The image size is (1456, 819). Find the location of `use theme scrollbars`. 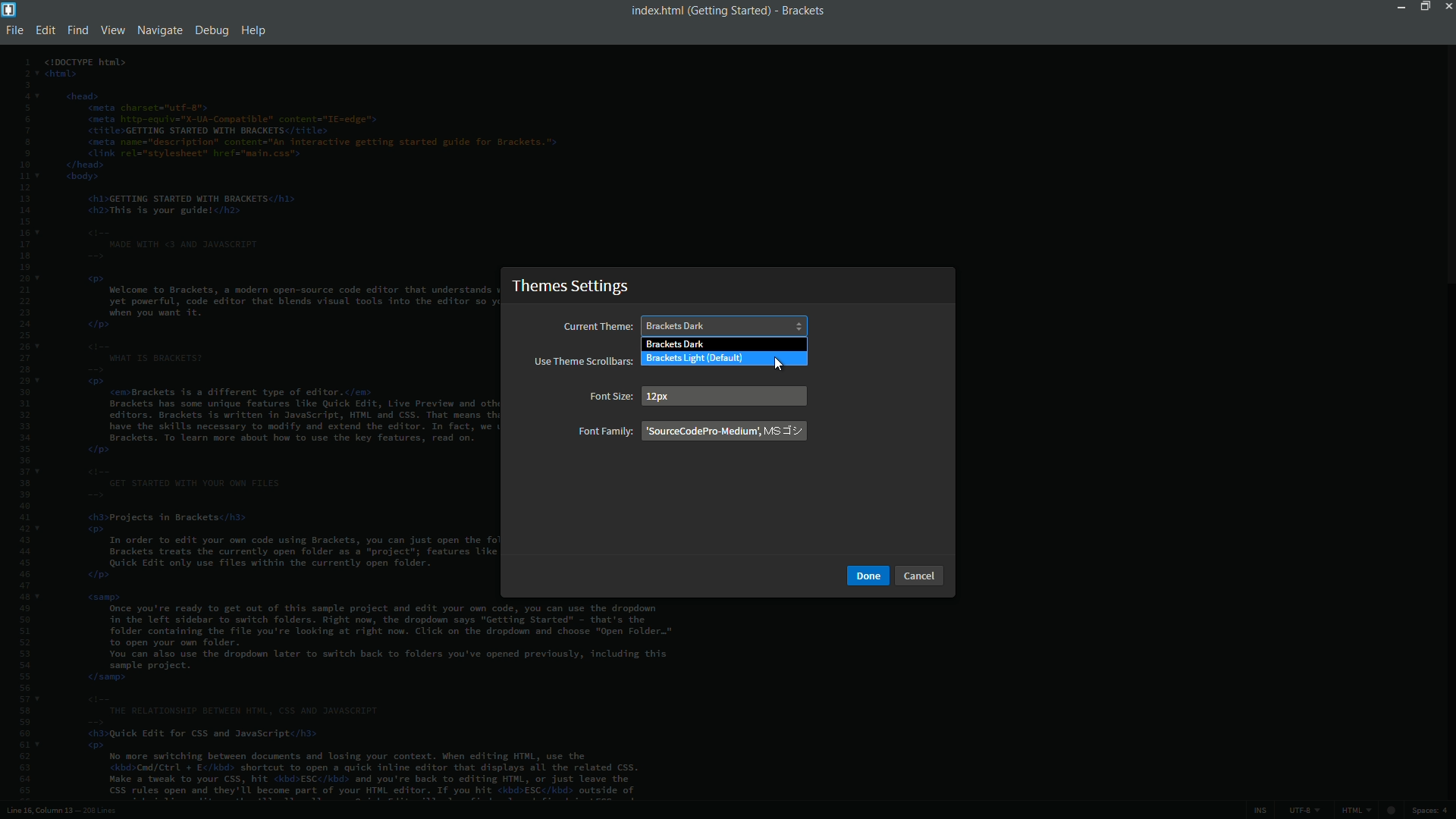

use theme scrollbars is located at coordinates (584, 362).